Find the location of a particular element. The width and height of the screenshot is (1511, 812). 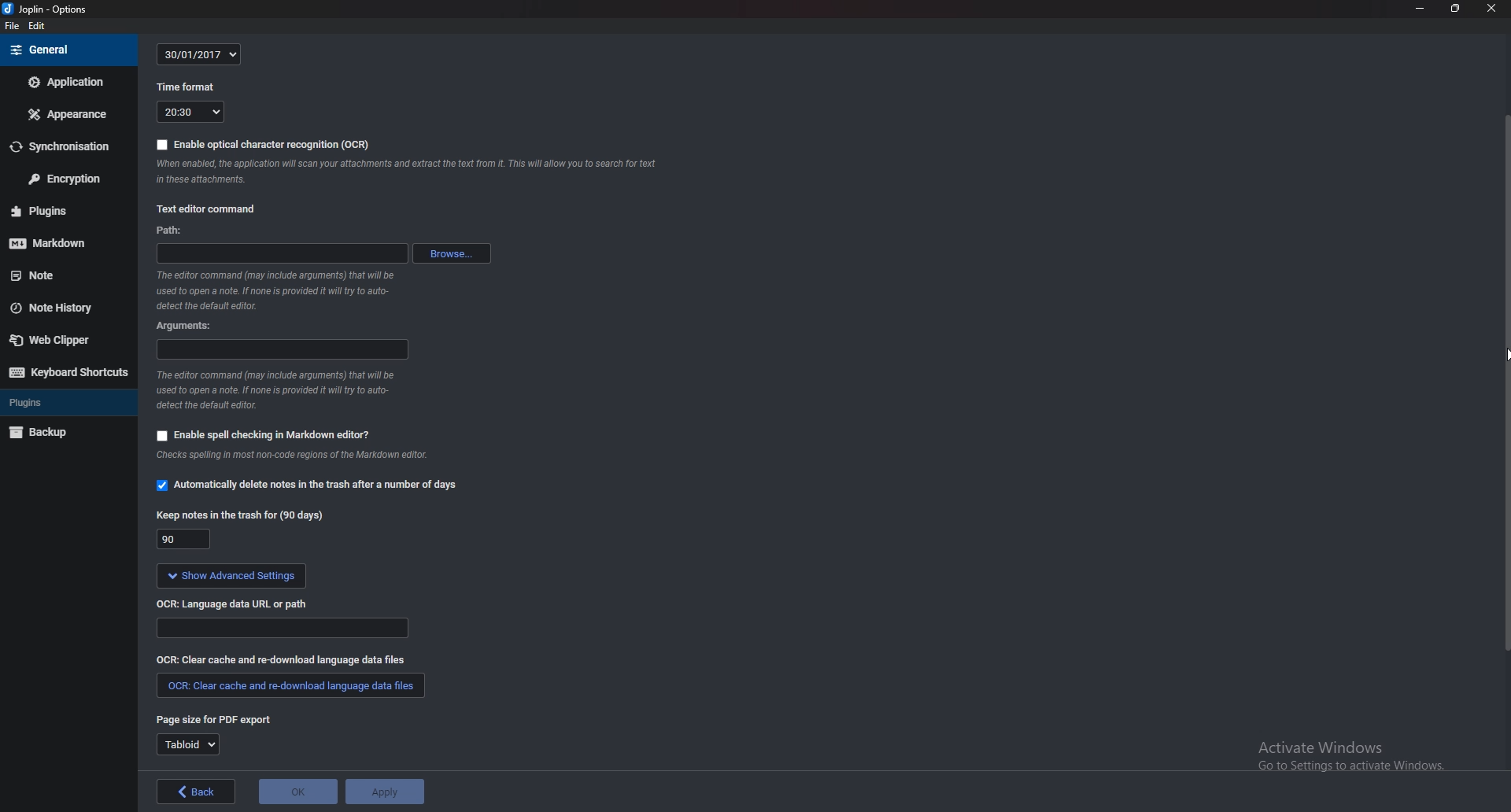

enable spell checking is located at coordinates (282, 433).